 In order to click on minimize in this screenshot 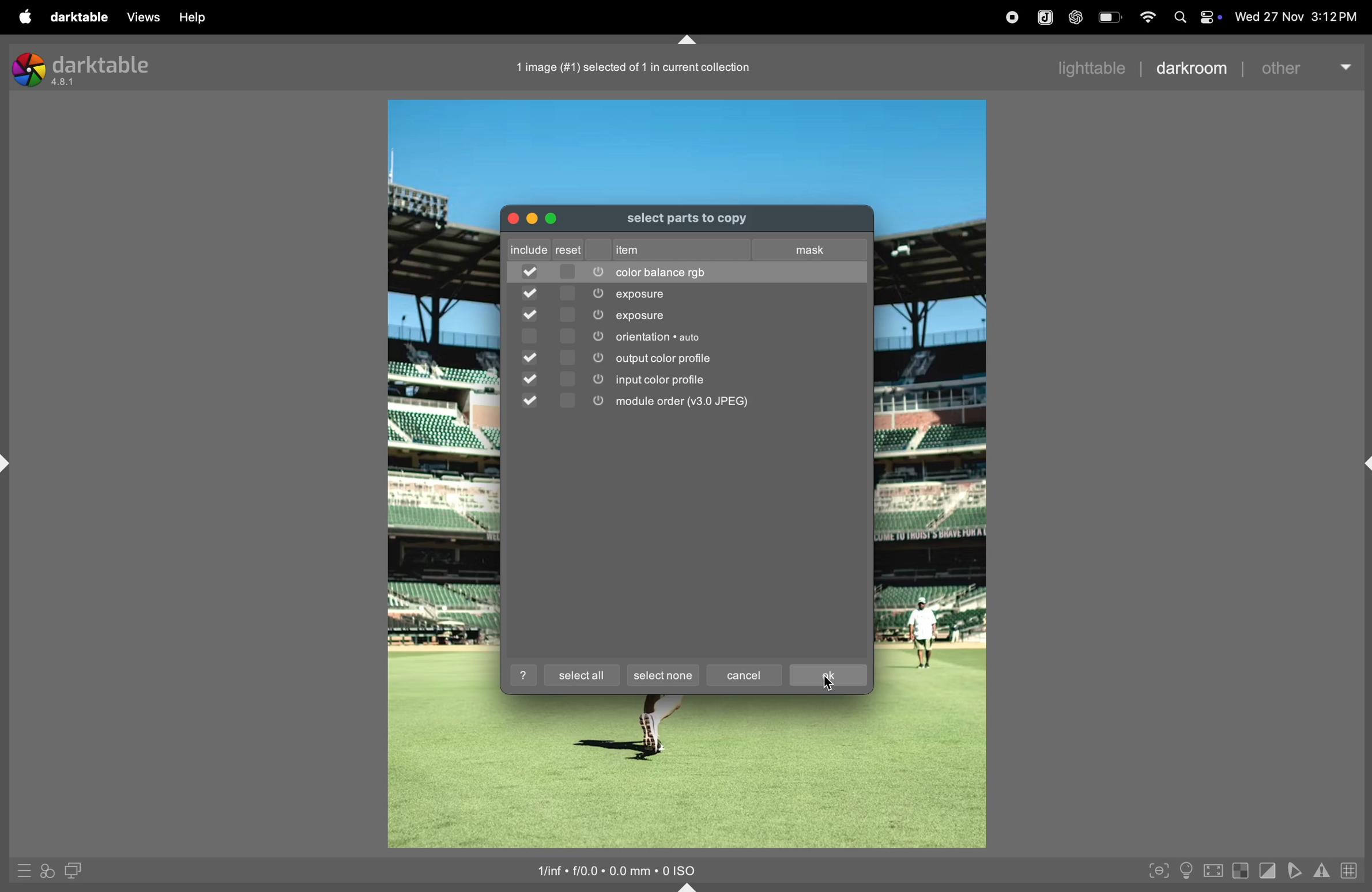, I will do `click(553, 218)`.